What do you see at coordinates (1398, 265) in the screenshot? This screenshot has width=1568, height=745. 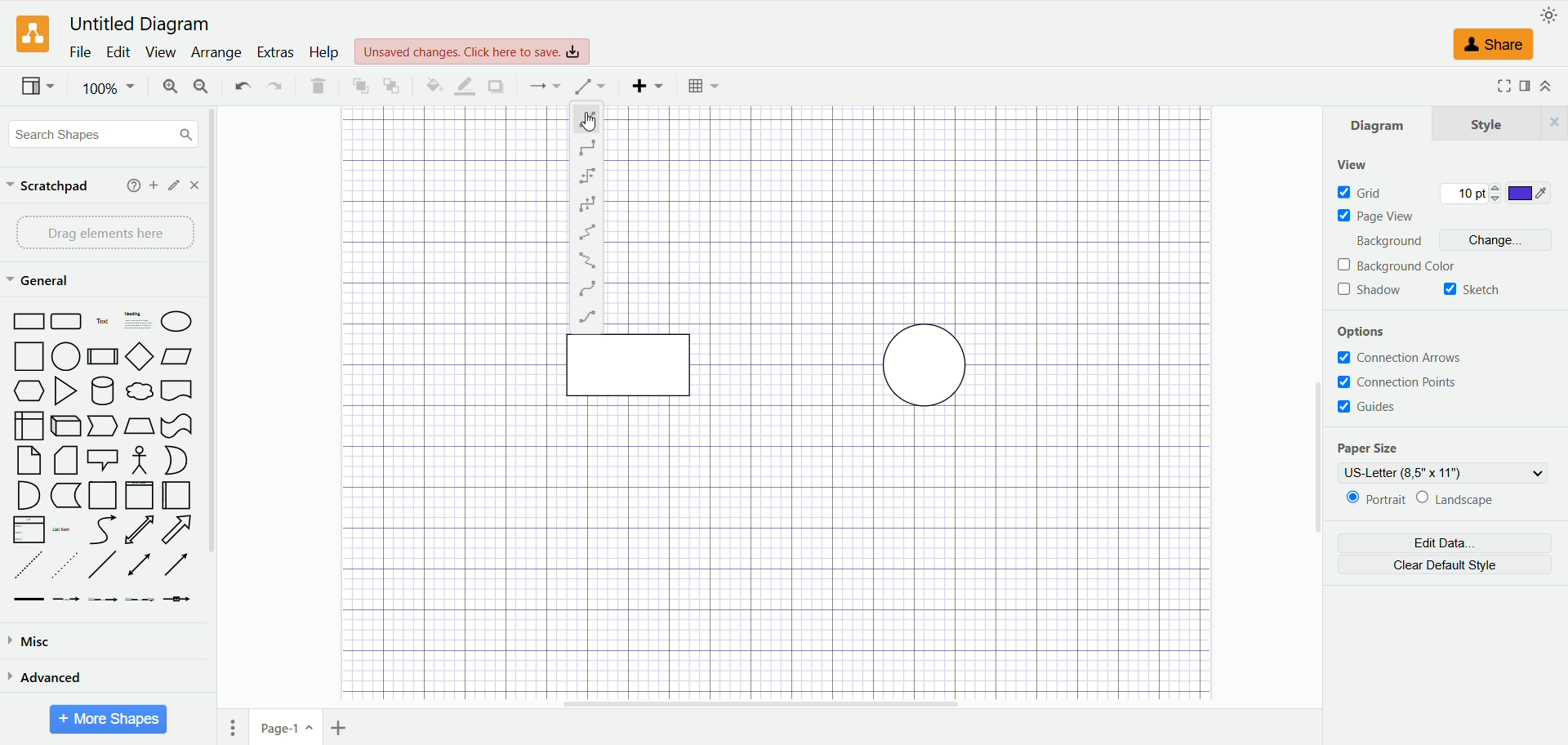 I see `background color` at bounding box center [1398, 265].